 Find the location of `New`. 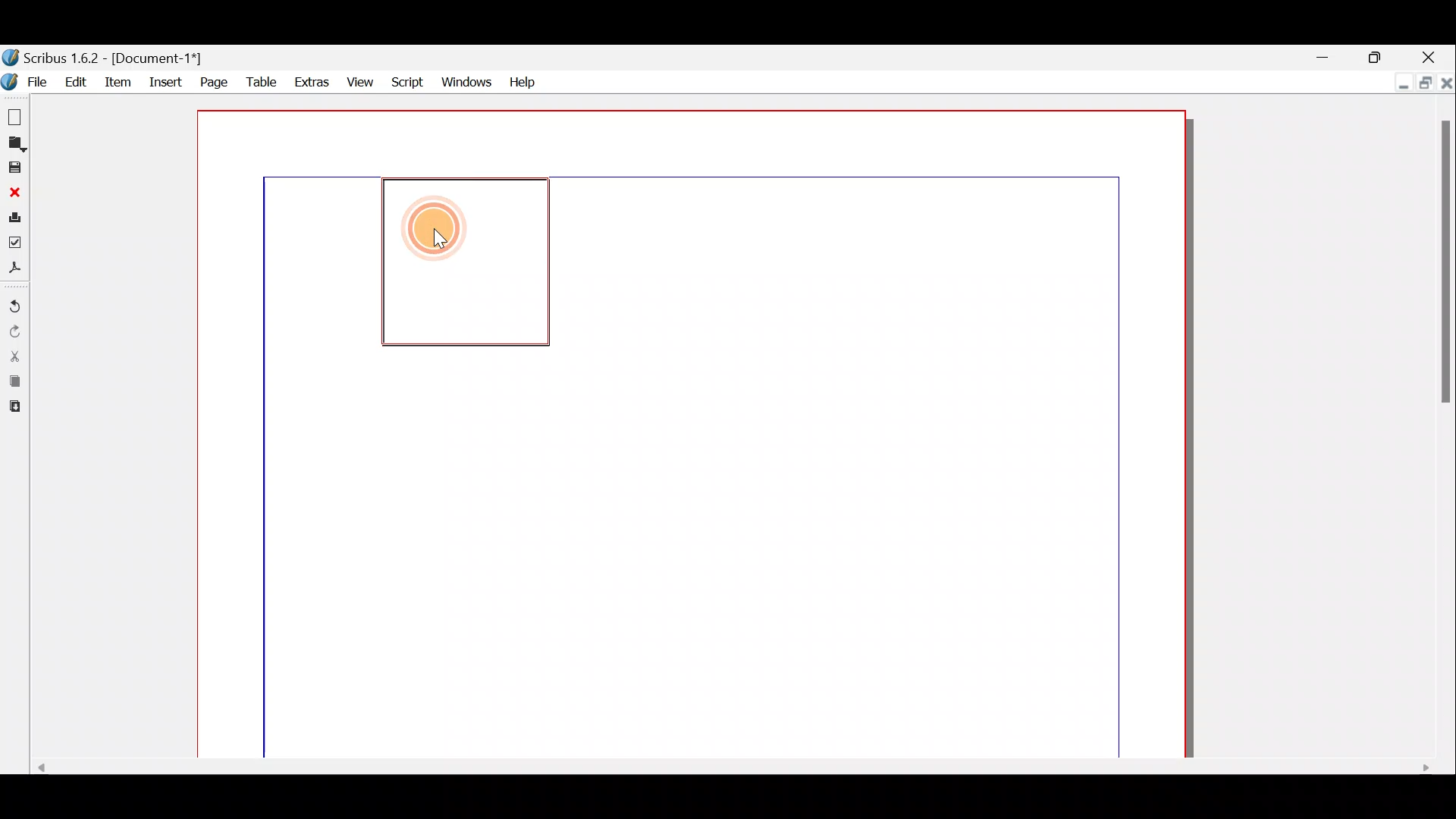

New is located at coordinates (13, 115).